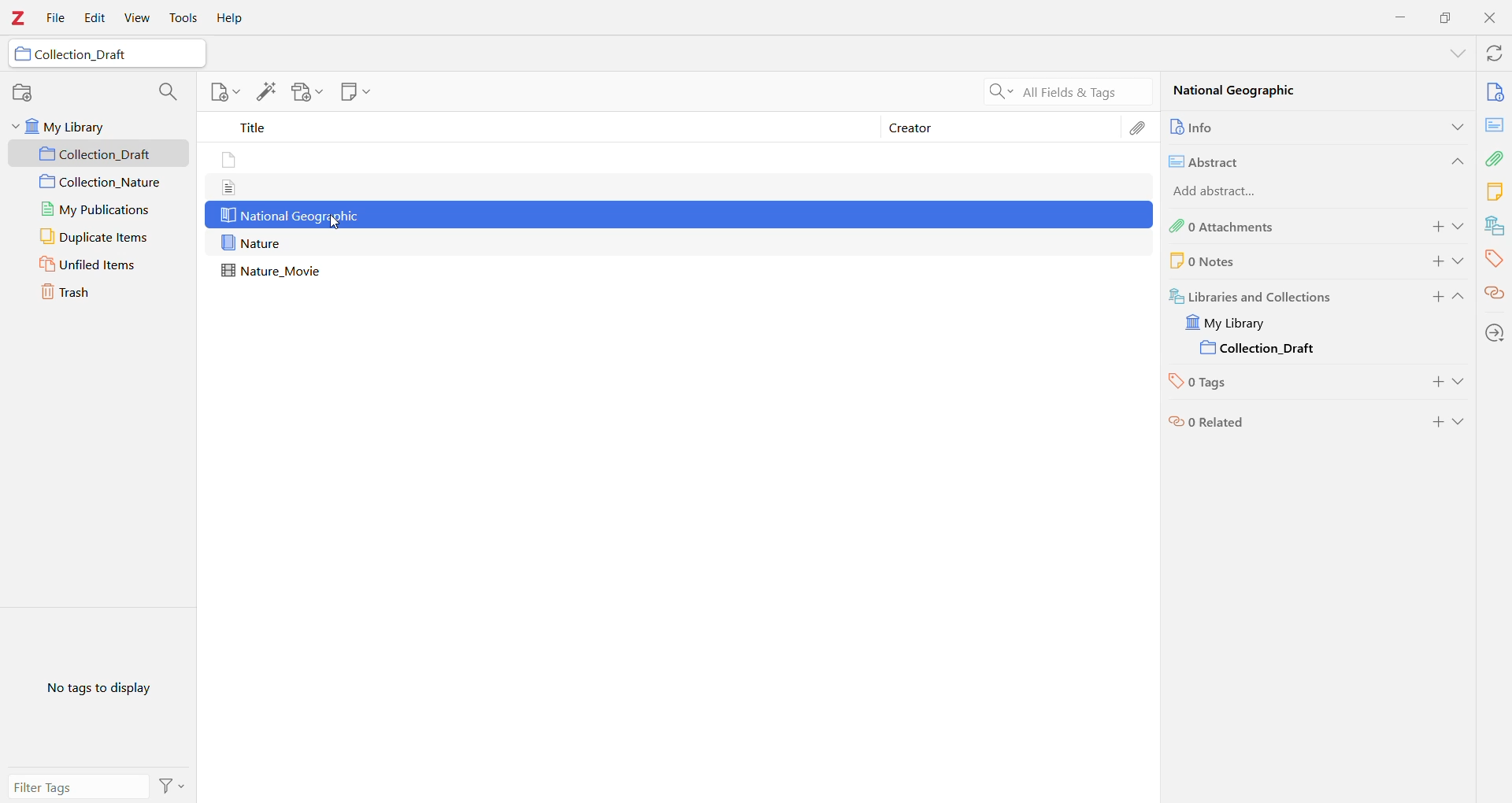 Image resolution: width=1512 pixels, height=803 pixels. Describe the element at coordinates (1402, 17) in the screenshot. I see `Minimize` at that location.